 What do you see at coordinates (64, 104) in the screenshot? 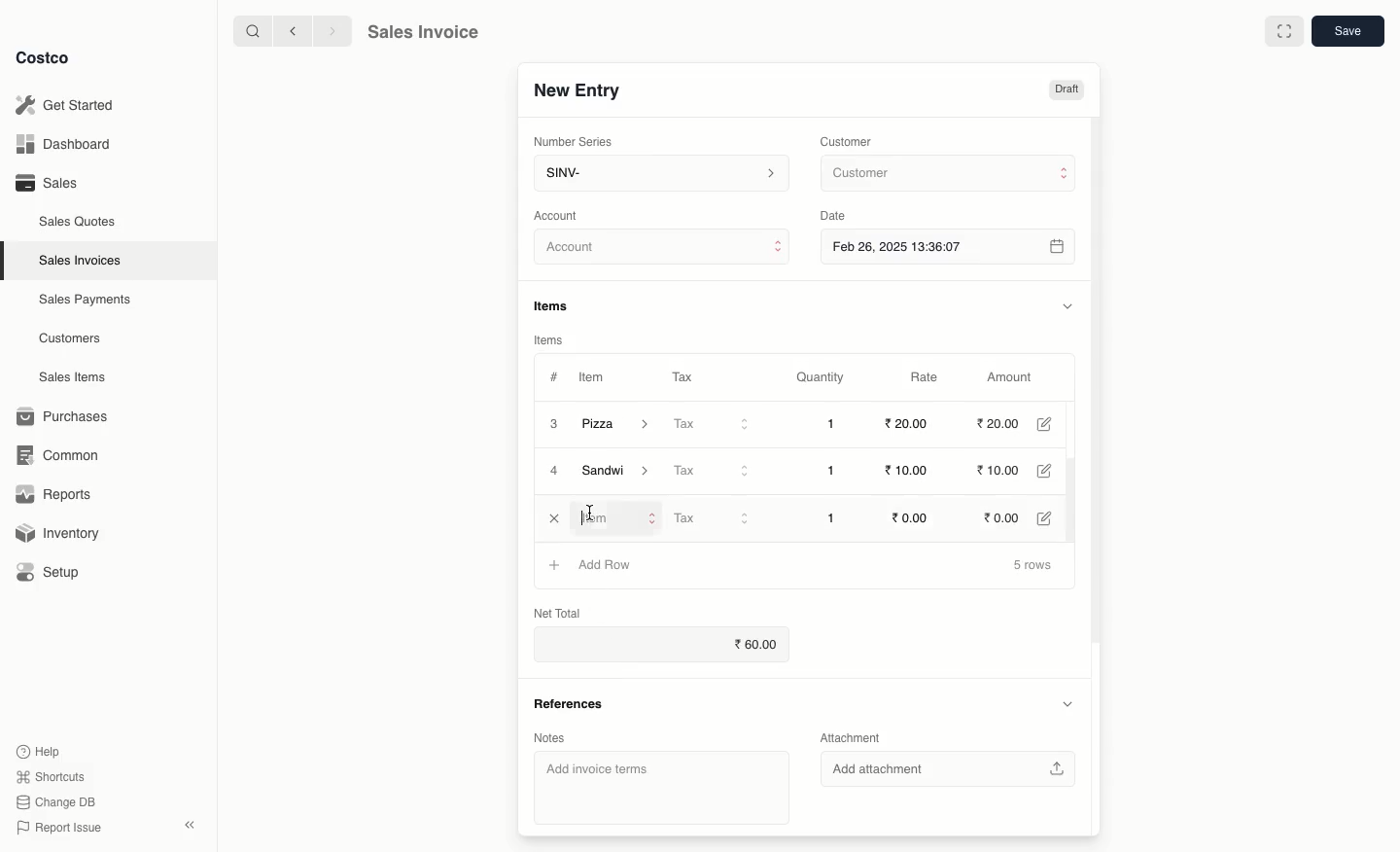
I see `Get Started` at bounding box center [64, 104].